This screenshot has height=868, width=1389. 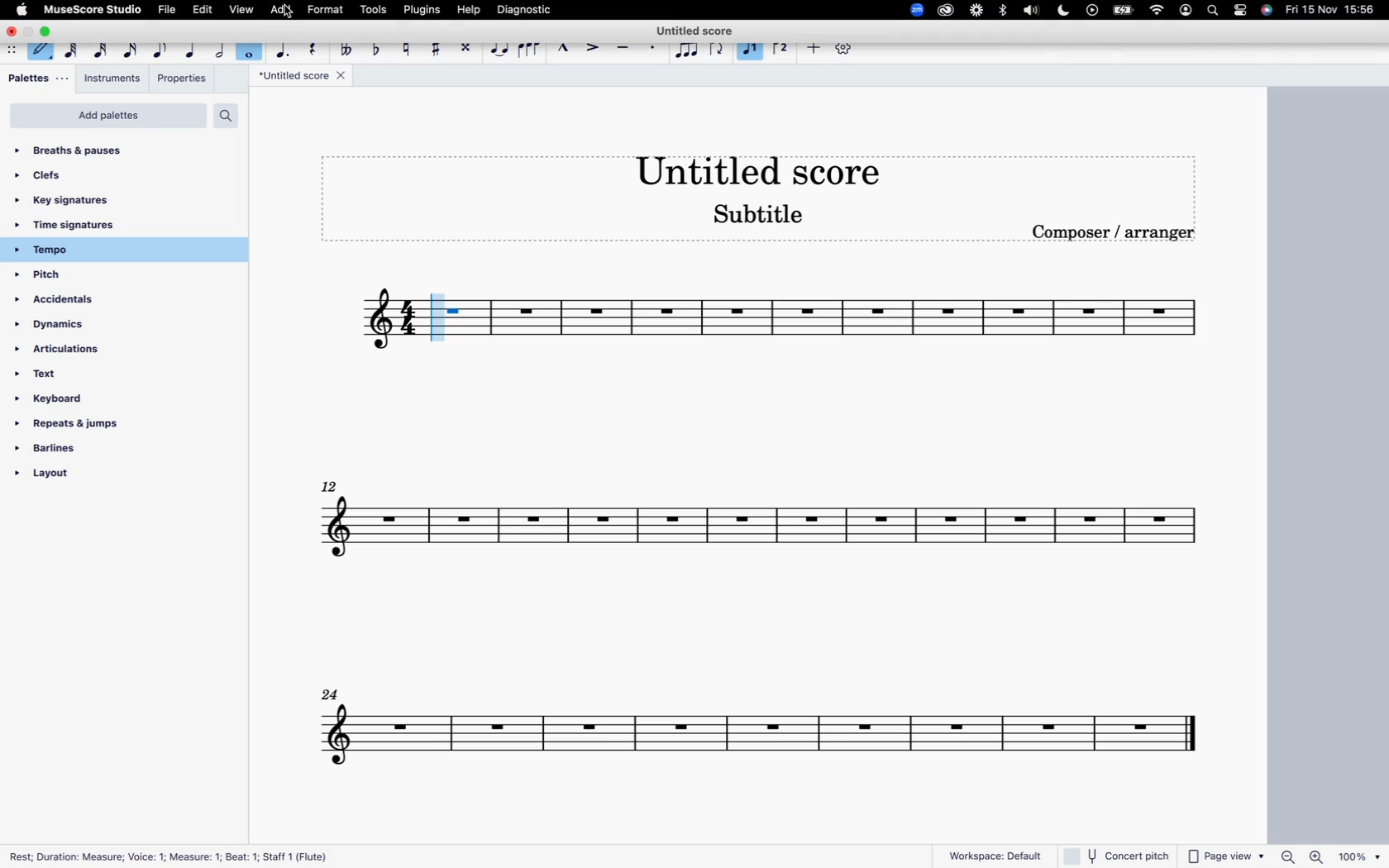 What do you see at coordinates (686, 51) in the screenshot?
I see `tuplet` at bounding box center [686, 51].